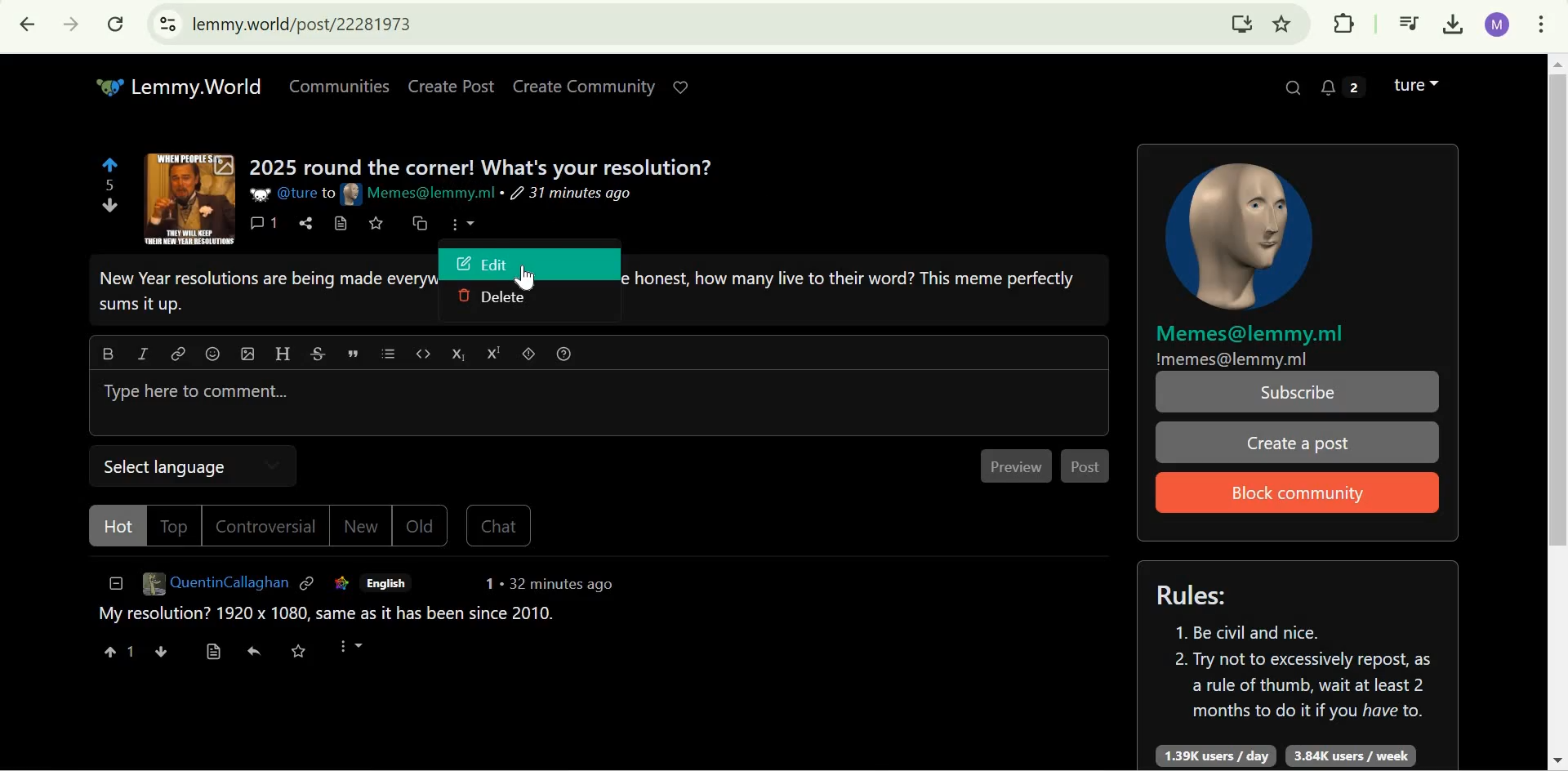 The height and width of the screenshot is (771, 1568). Describe the element at coordinates (1552, 409) in the screenshot. I see `Scrollbar` at that location.